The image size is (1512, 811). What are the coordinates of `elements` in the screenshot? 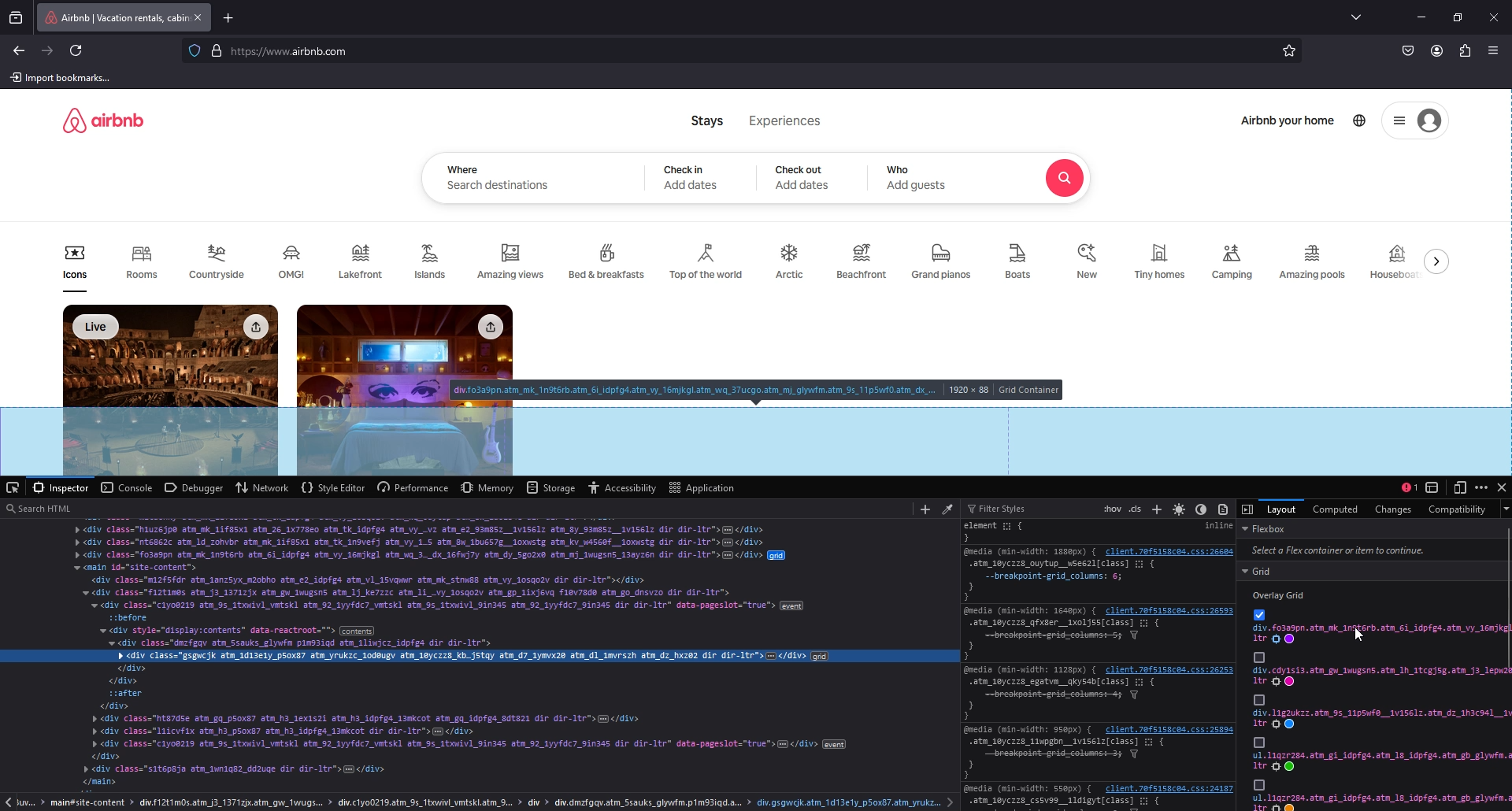 It's located at (1062, 580).